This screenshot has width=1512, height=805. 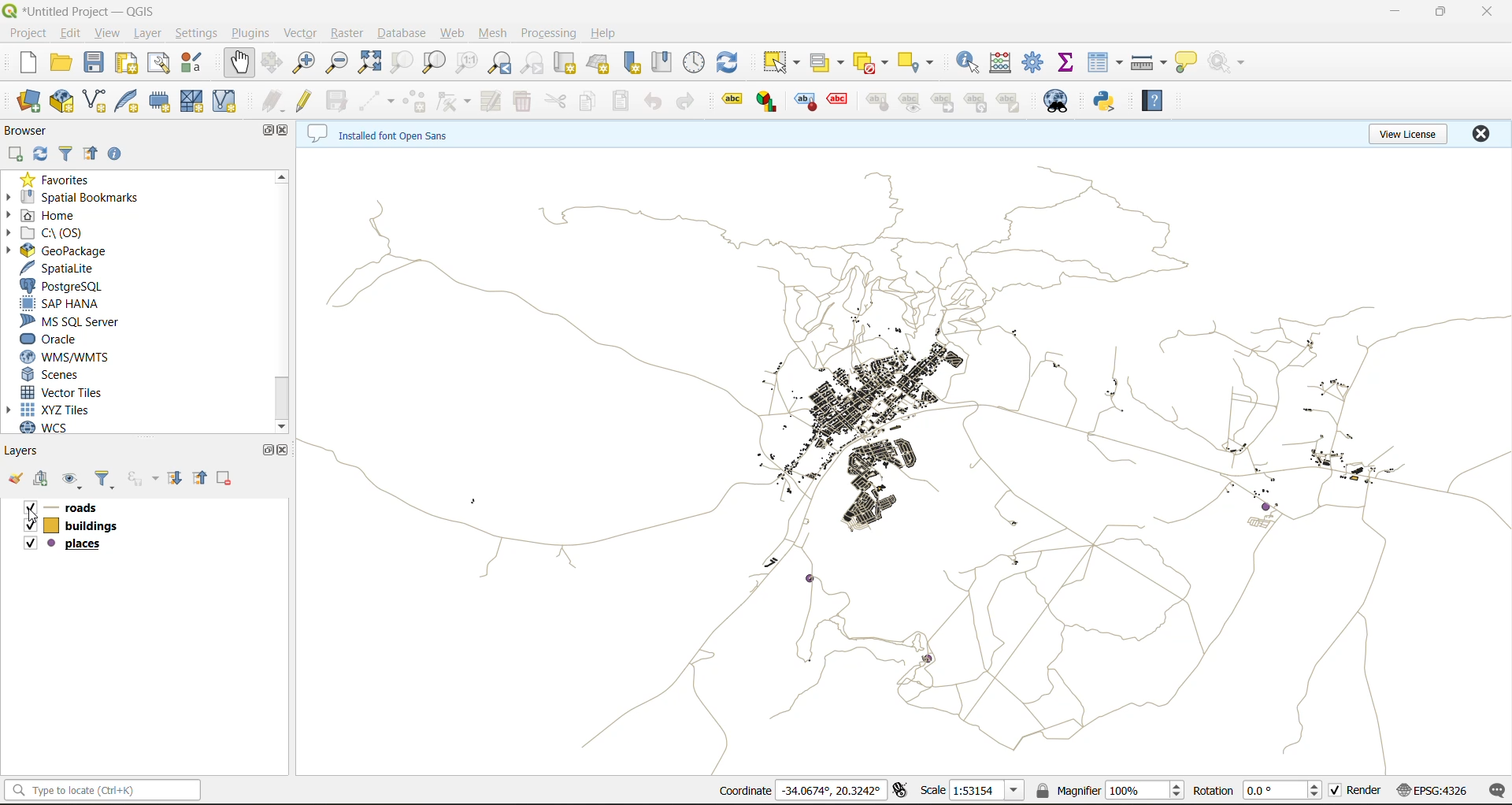 I want to click on pan map, so click(x=242, y=64).